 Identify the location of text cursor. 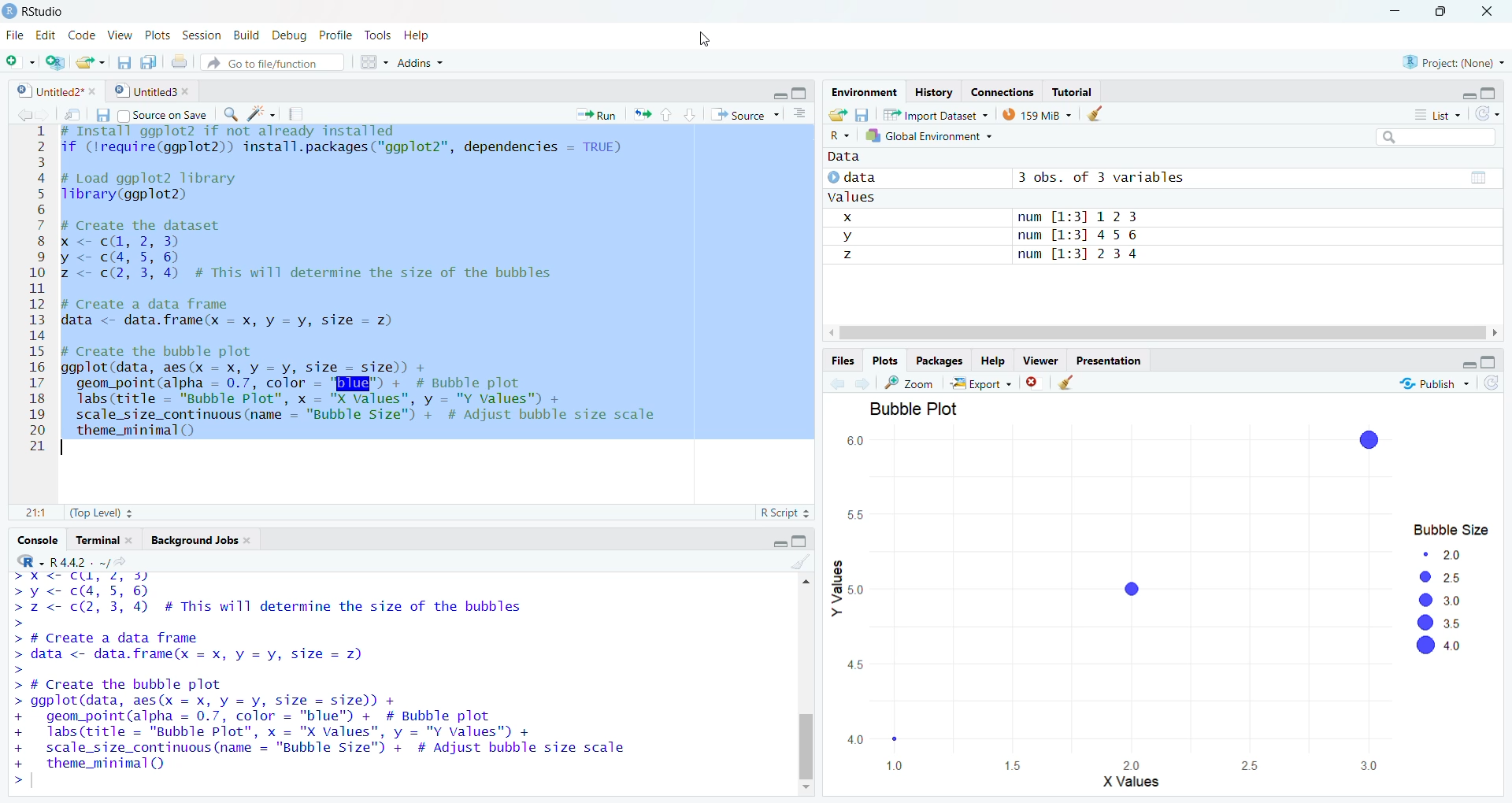
(68, 447).